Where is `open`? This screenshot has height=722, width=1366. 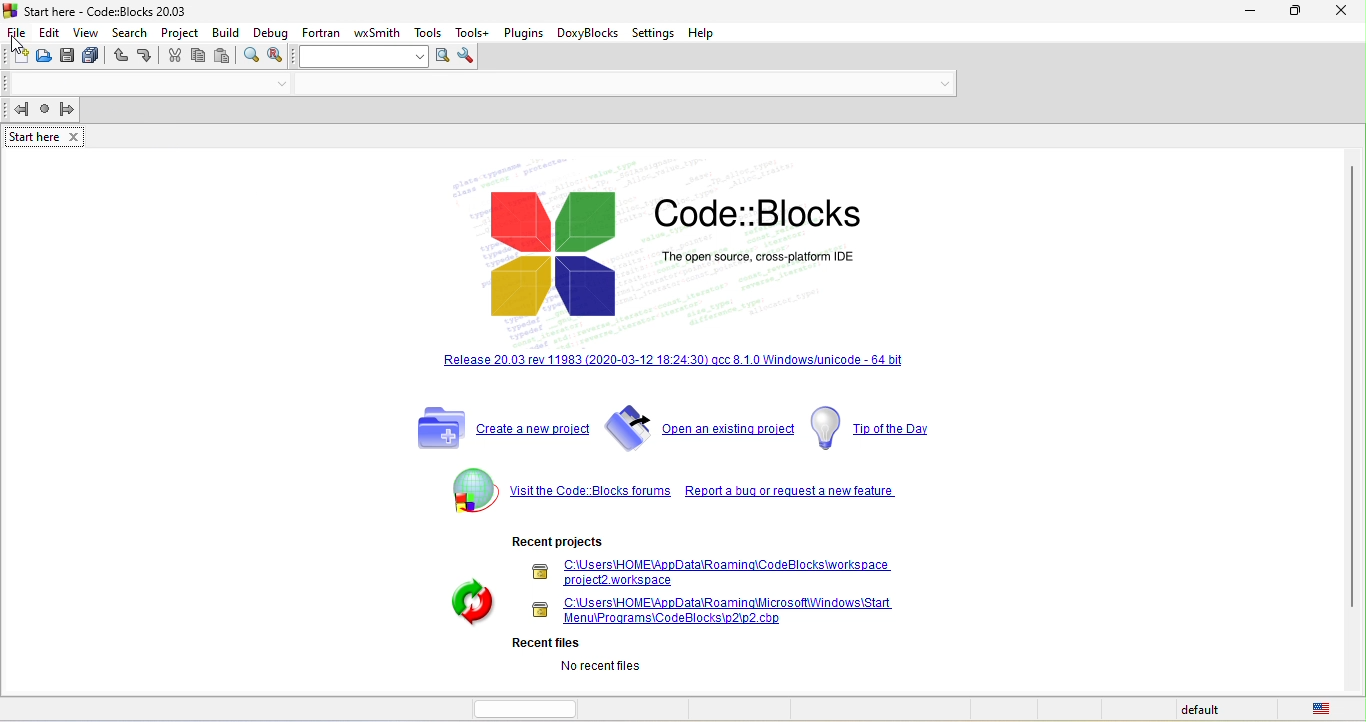 open is located at coordinates (46, 59).